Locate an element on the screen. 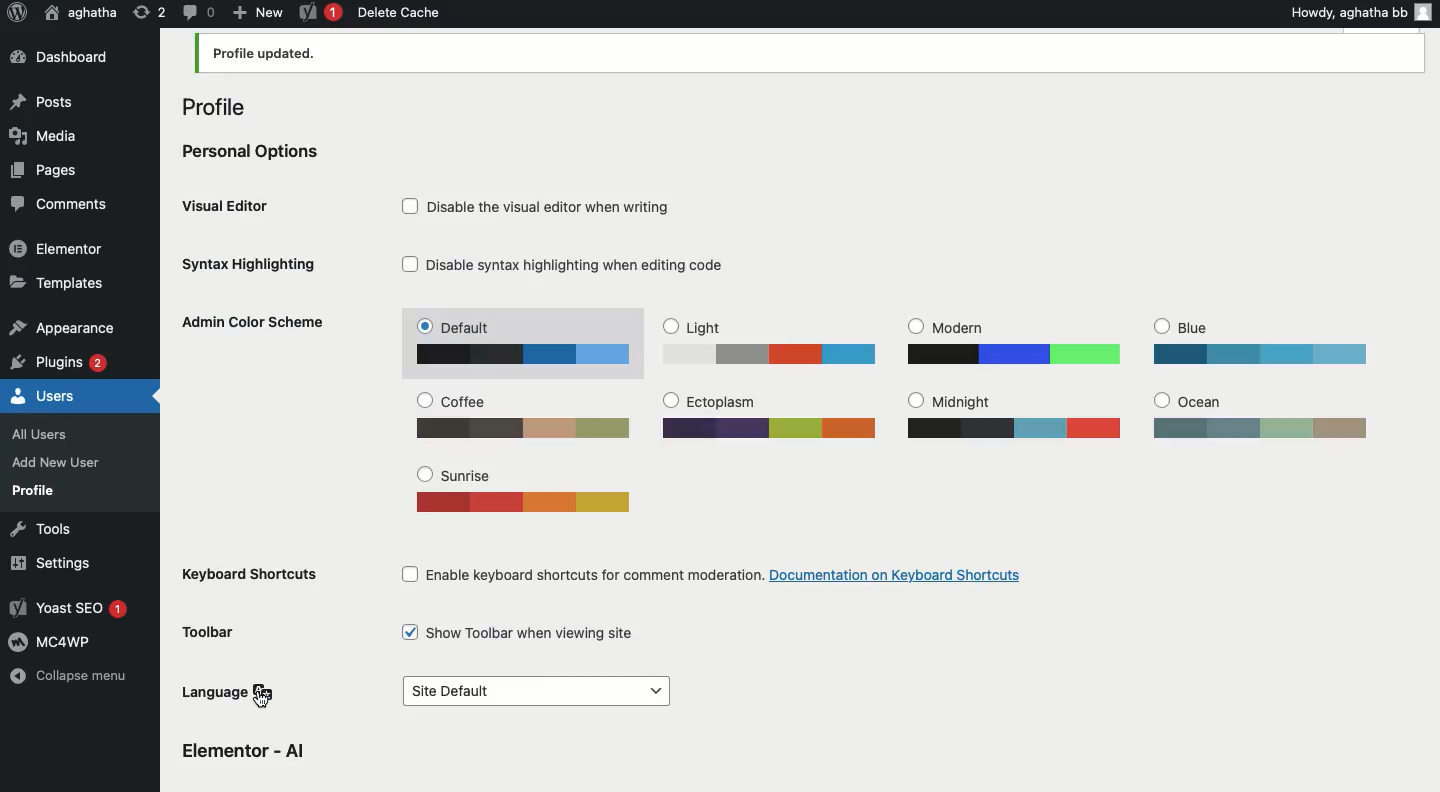 The image size is (1440, 792). Templates is located at coordinates (58, 281).